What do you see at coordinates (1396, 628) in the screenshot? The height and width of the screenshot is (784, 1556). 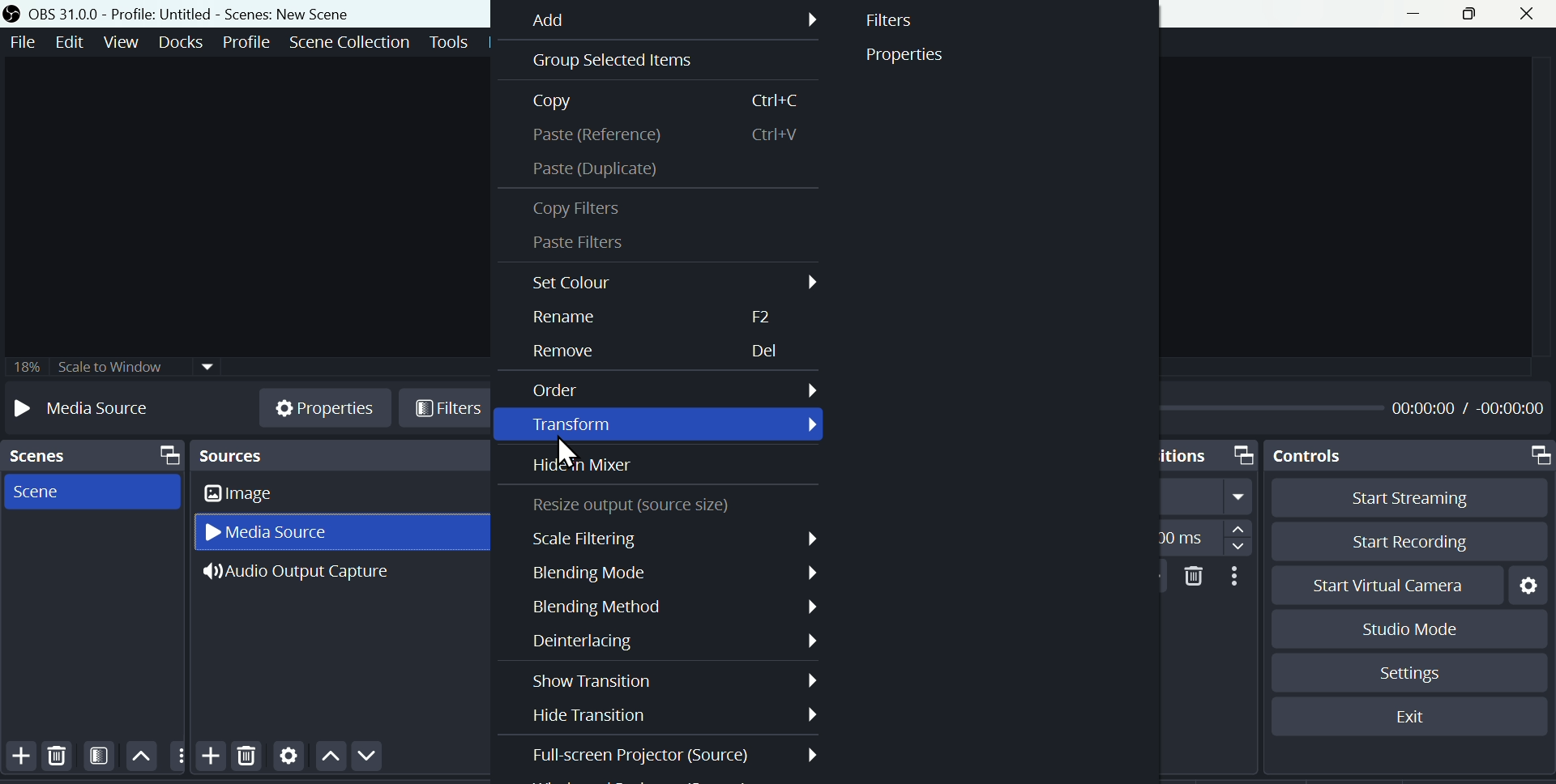 I see `Studio mode` at bounding box center [1396, 628].